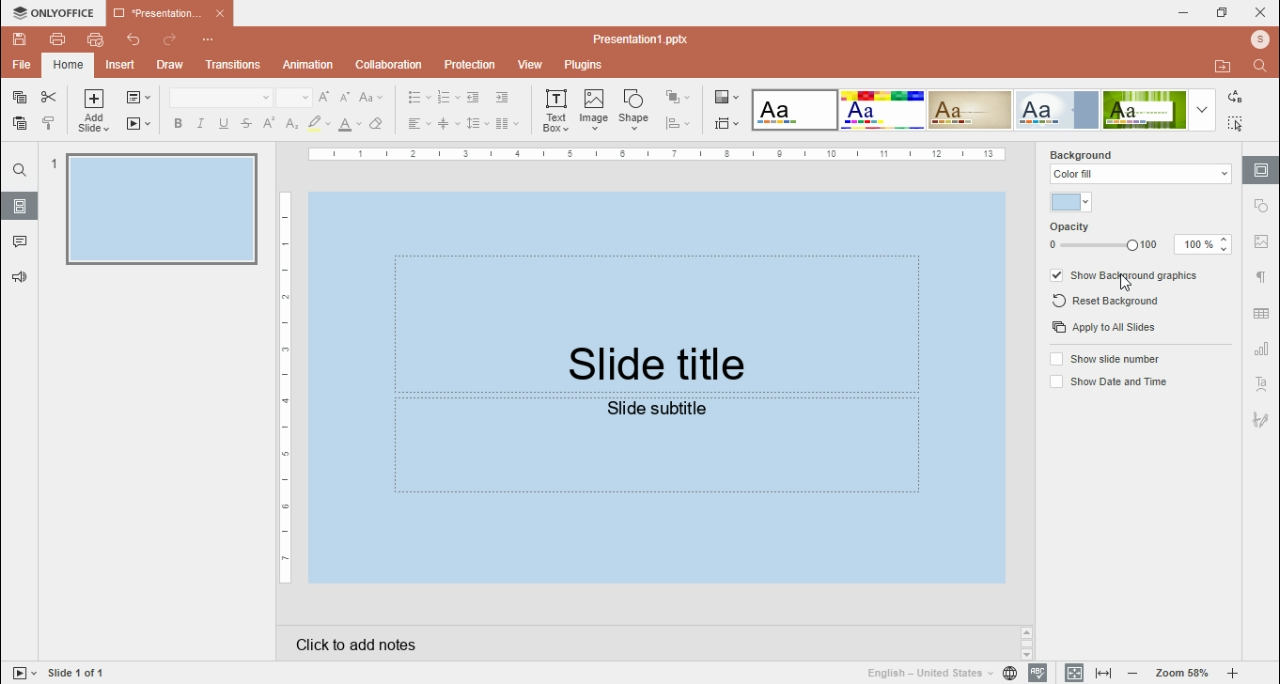 Image resolution: width=1280 pixels, height=684 pixels. Describe the element at coordinates (20, 38) in the screenshot. I see `save` at that location.